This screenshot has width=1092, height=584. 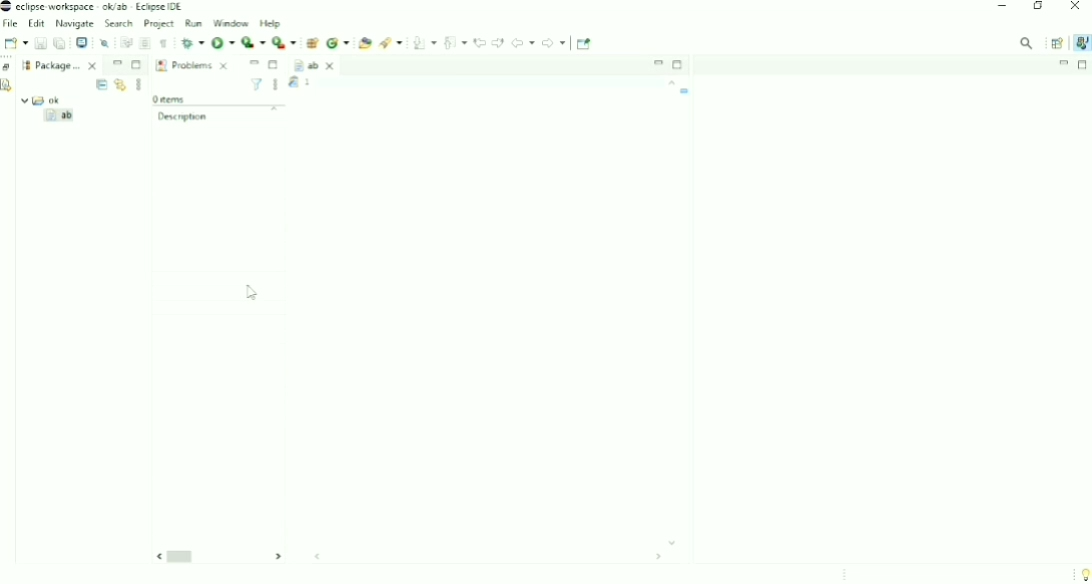 What do you see at coordinates (15, 43) in the screenshot?
I see `New` at bounding box center [15, 43].